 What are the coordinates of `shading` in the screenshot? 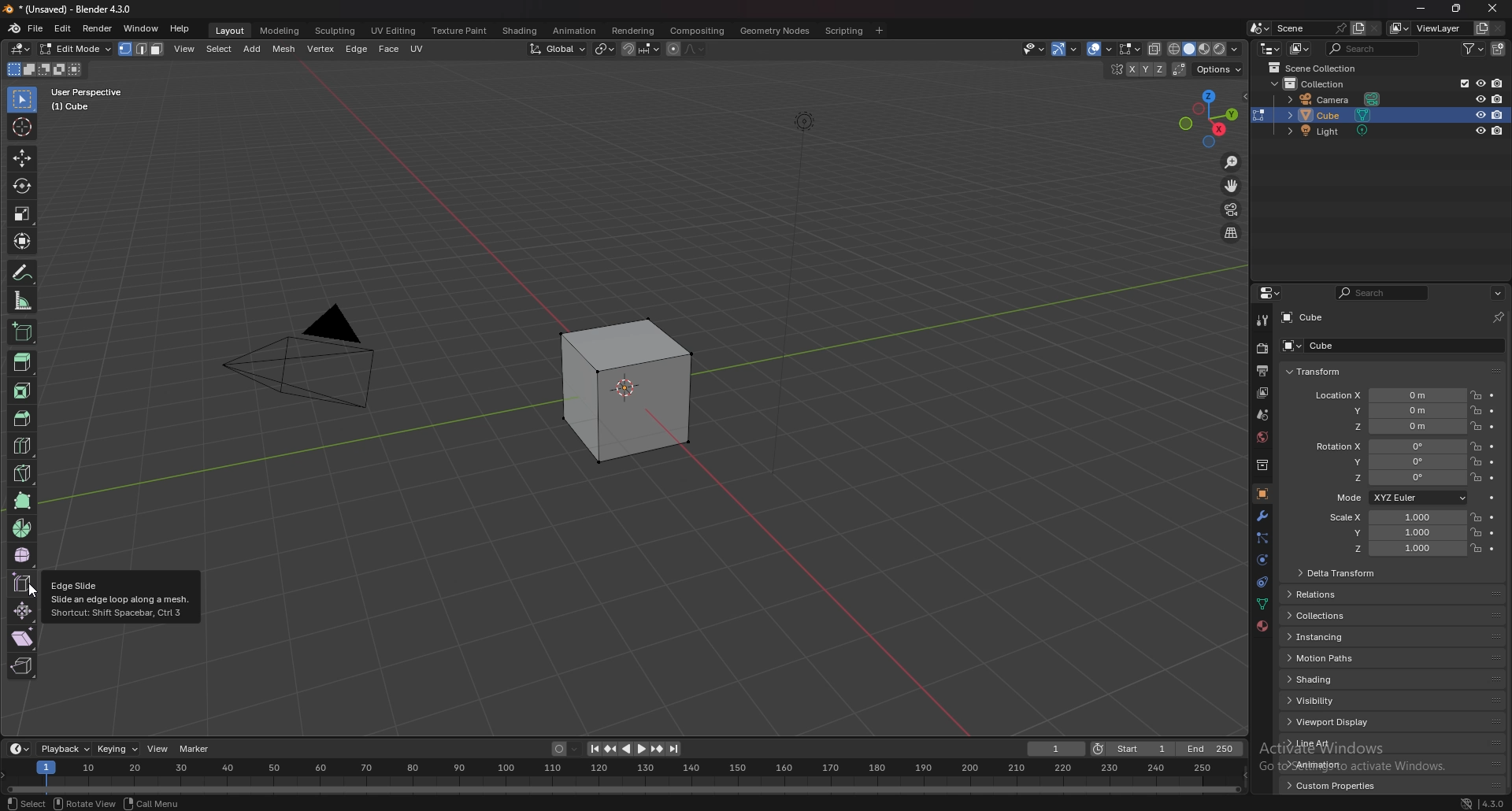 It's located at (1323, 680).